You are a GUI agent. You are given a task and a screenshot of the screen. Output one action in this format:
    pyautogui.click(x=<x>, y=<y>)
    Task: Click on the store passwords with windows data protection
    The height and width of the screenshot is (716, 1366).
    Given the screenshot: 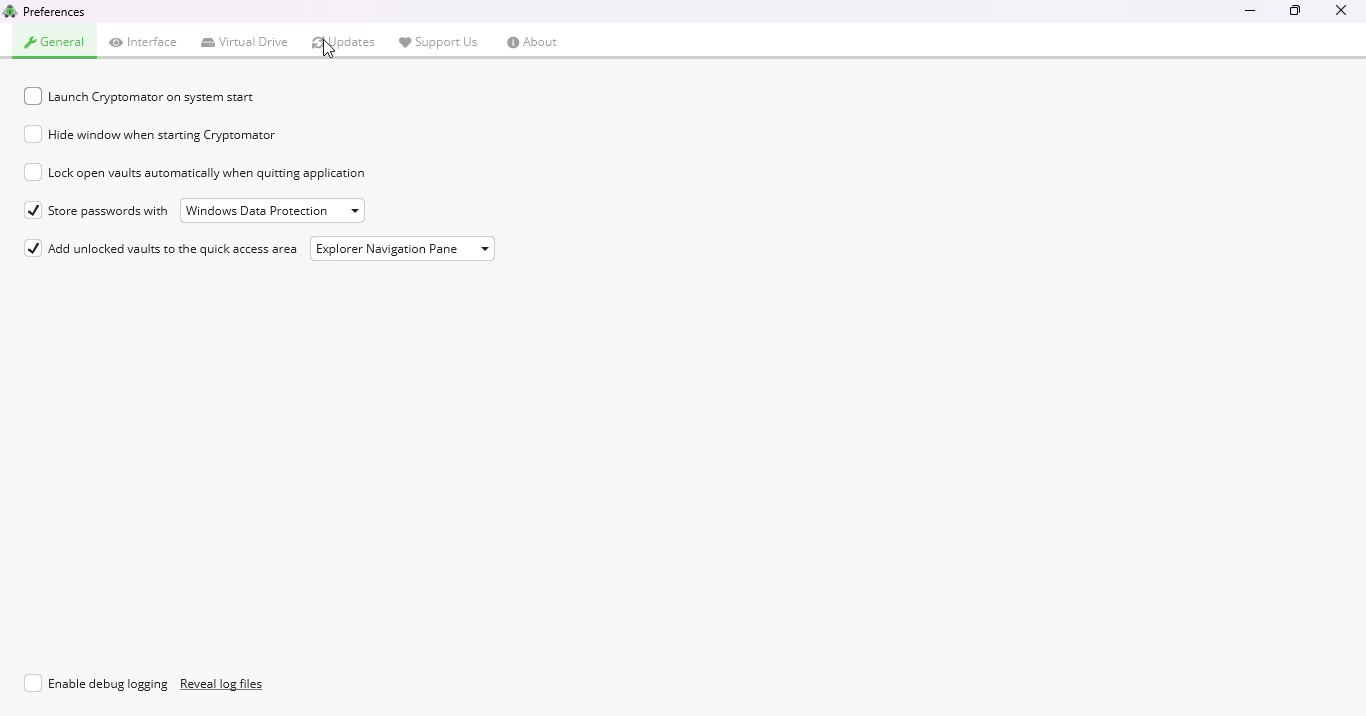 What is the action you would take?
    pyautogui.click(x=94, y=209)
    